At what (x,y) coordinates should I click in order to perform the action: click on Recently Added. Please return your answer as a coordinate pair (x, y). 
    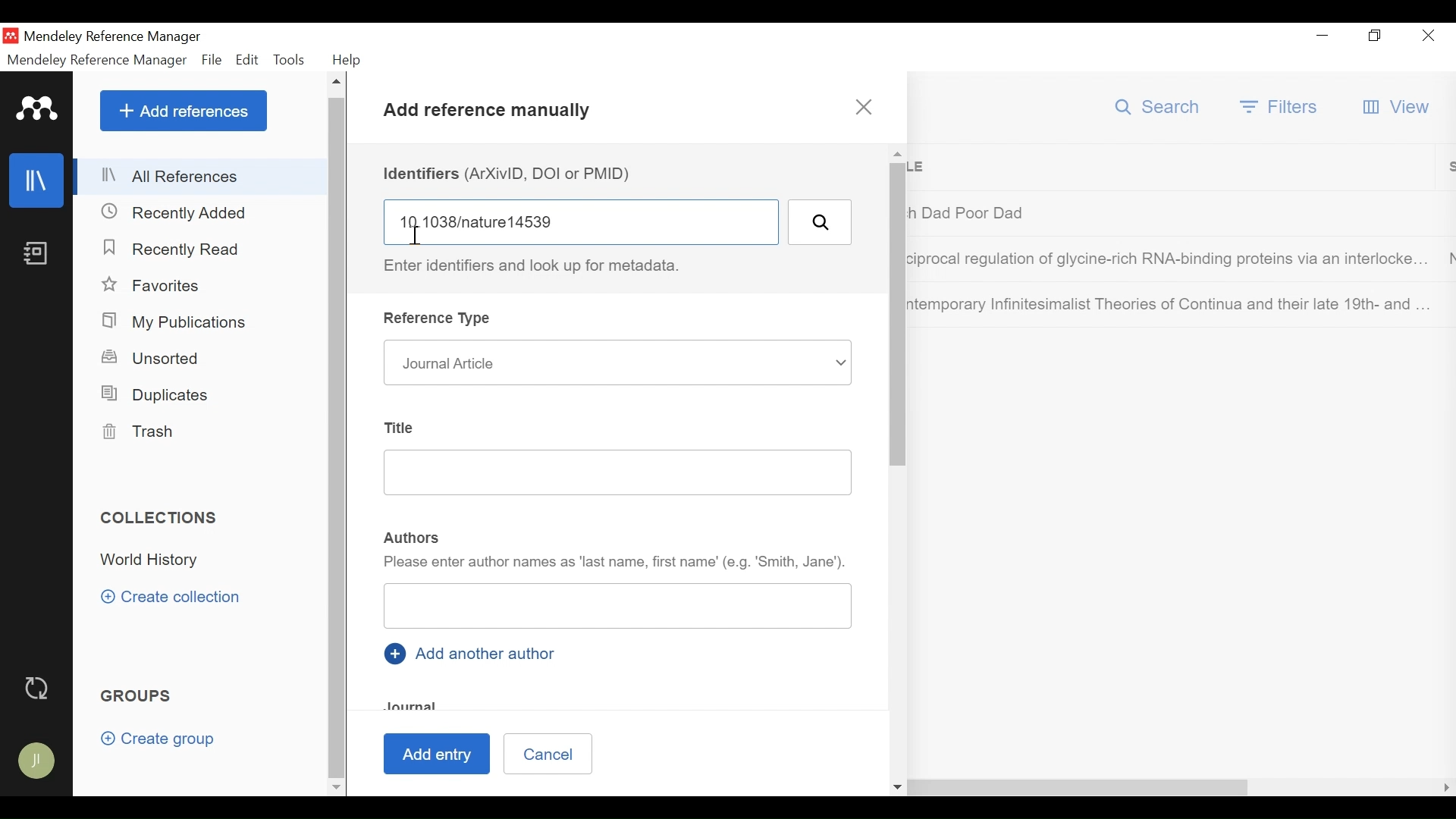
    Looking at the image, I should click on (181, 212).